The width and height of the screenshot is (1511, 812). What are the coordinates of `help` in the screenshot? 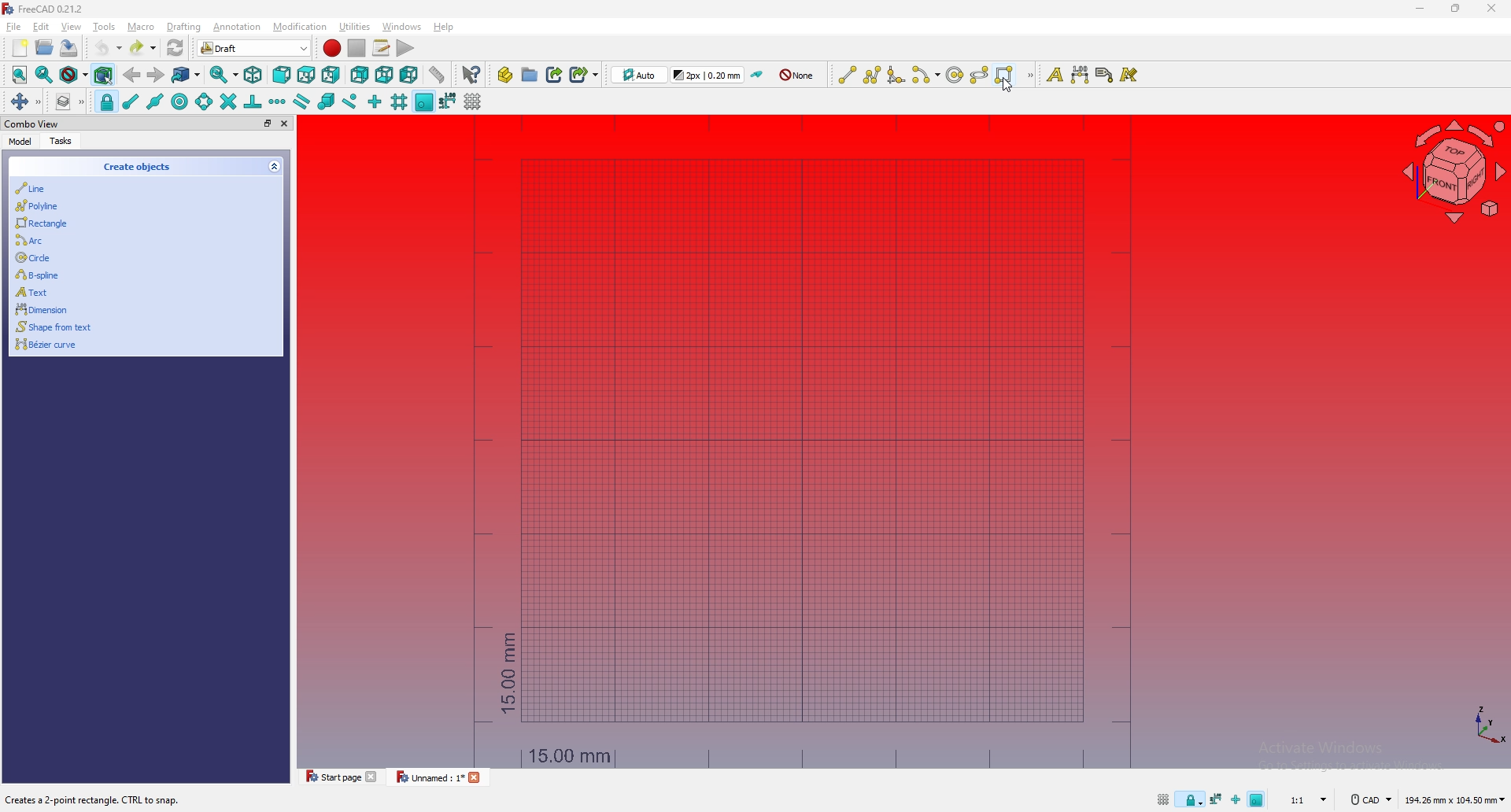 It's located at (443, 27).